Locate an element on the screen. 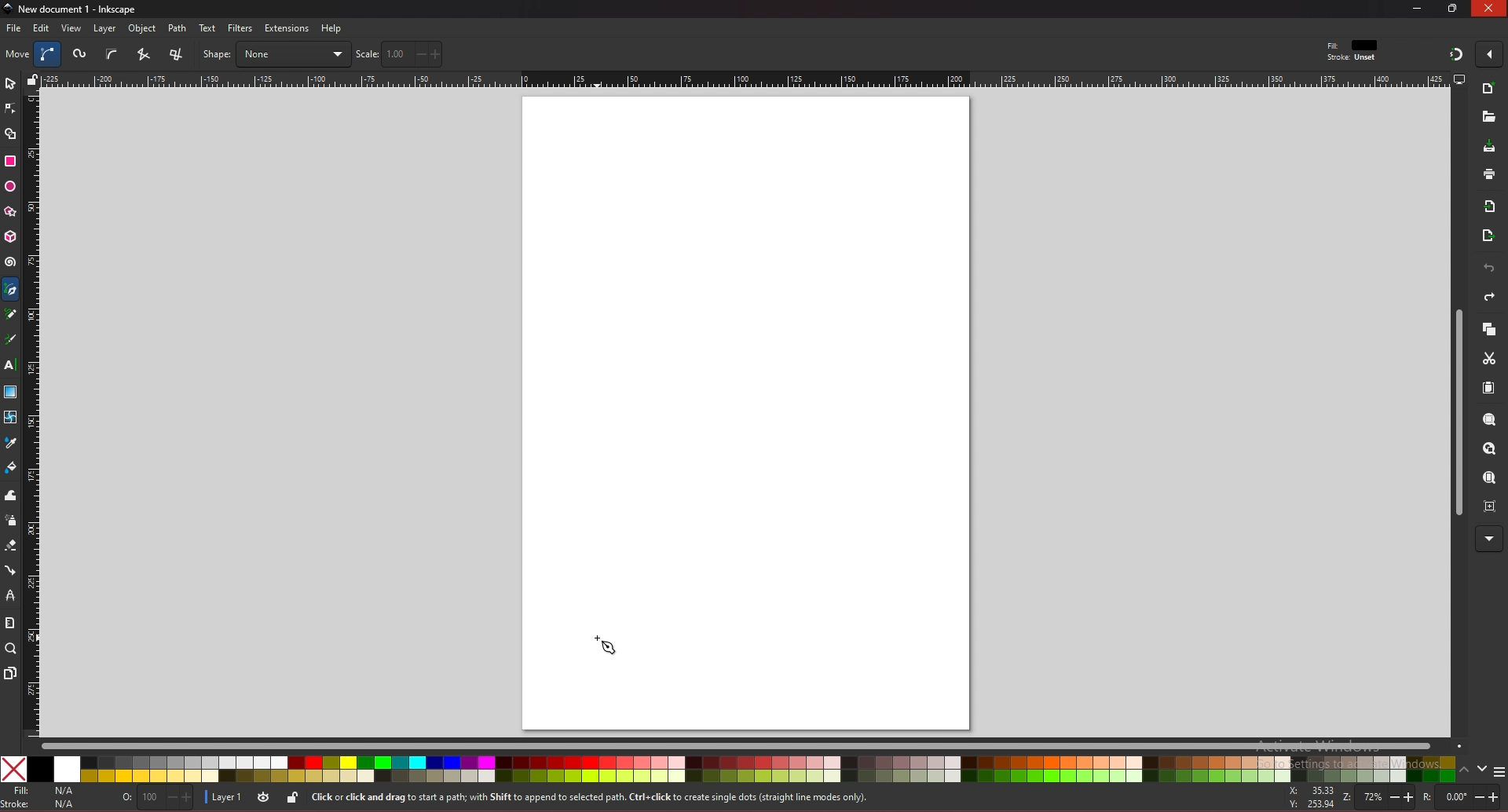 This screenshot has width=1508, height=812. new is located at coordinates (1488, 117).